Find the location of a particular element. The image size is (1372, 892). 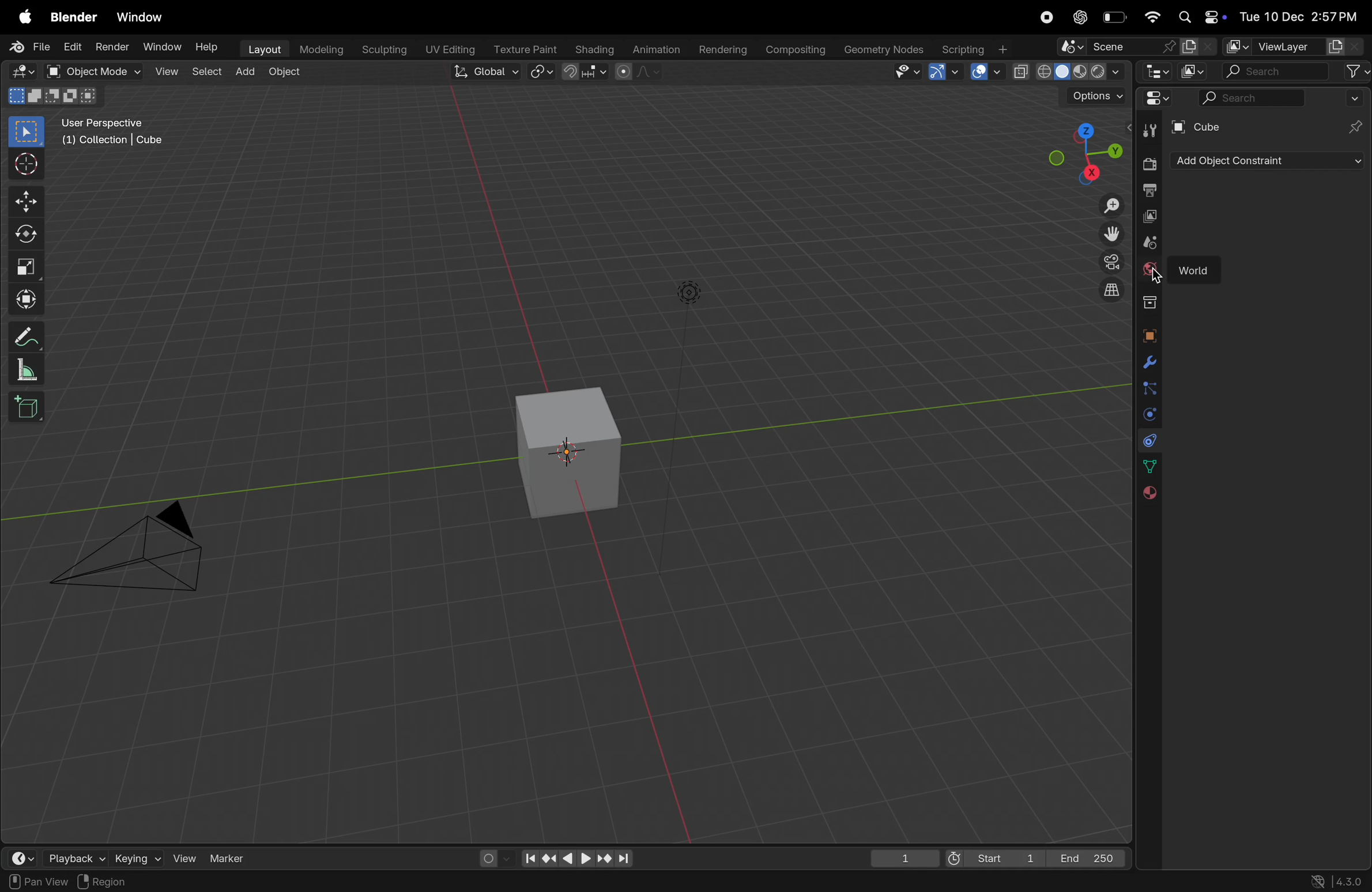

cursor is located at coordinates (27, 163).